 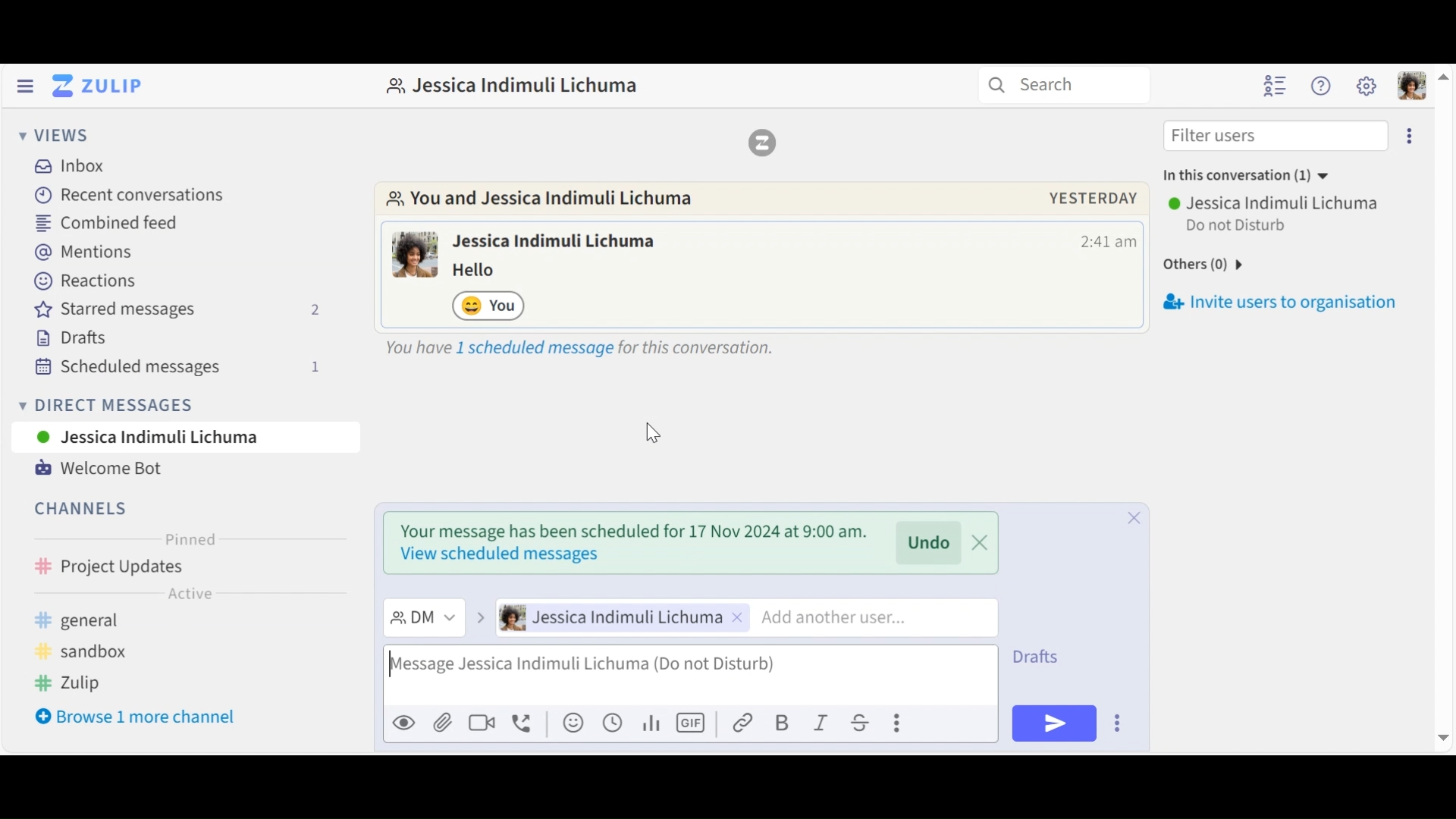 I want to click on link, so click(x=745, y=723).